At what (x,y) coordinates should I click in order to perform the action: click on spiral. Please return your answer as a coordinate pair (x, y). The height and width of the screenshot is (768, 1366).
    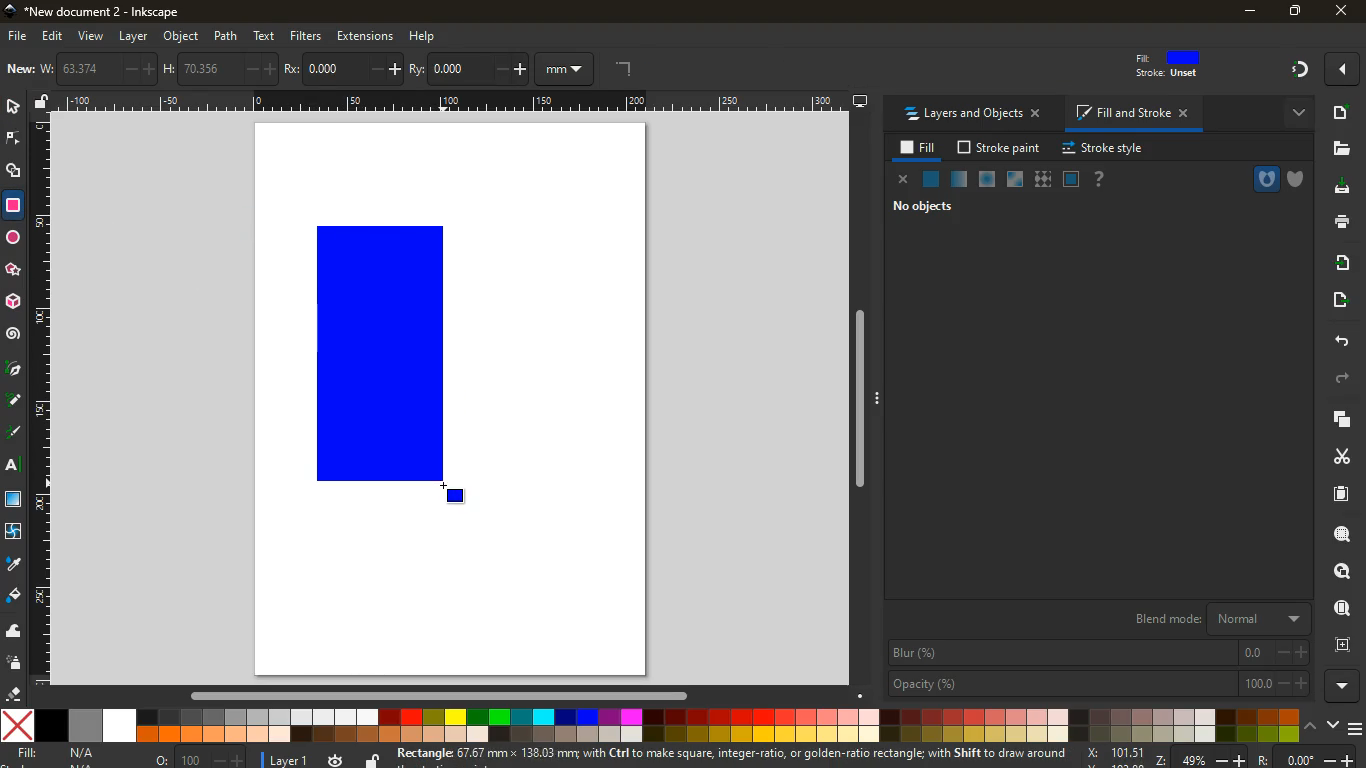
    Looking at the image, I should click on (14, 336).